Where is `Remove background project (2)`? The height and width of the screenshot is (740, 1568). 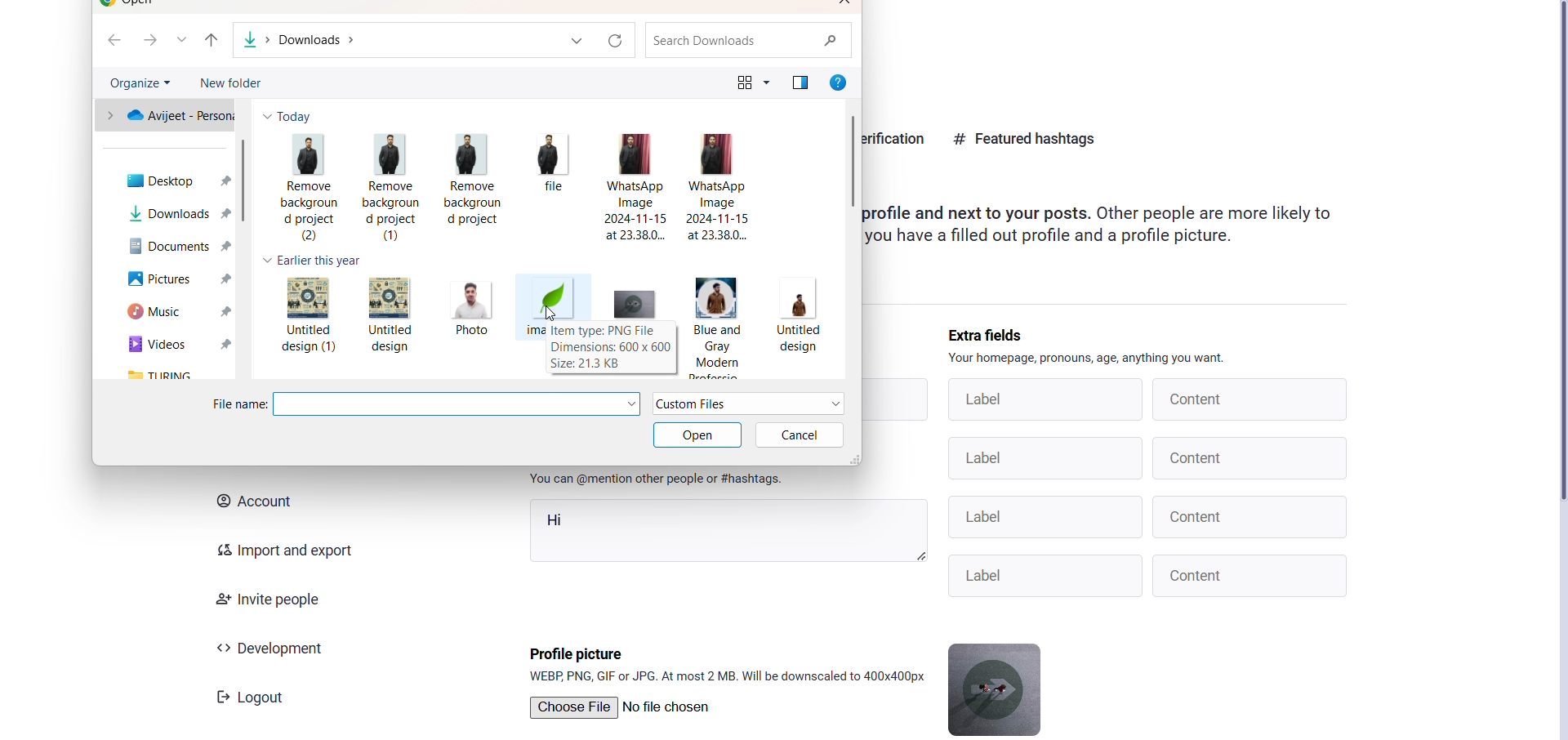 Remove background project (2) is located at coordinates (306, 189).